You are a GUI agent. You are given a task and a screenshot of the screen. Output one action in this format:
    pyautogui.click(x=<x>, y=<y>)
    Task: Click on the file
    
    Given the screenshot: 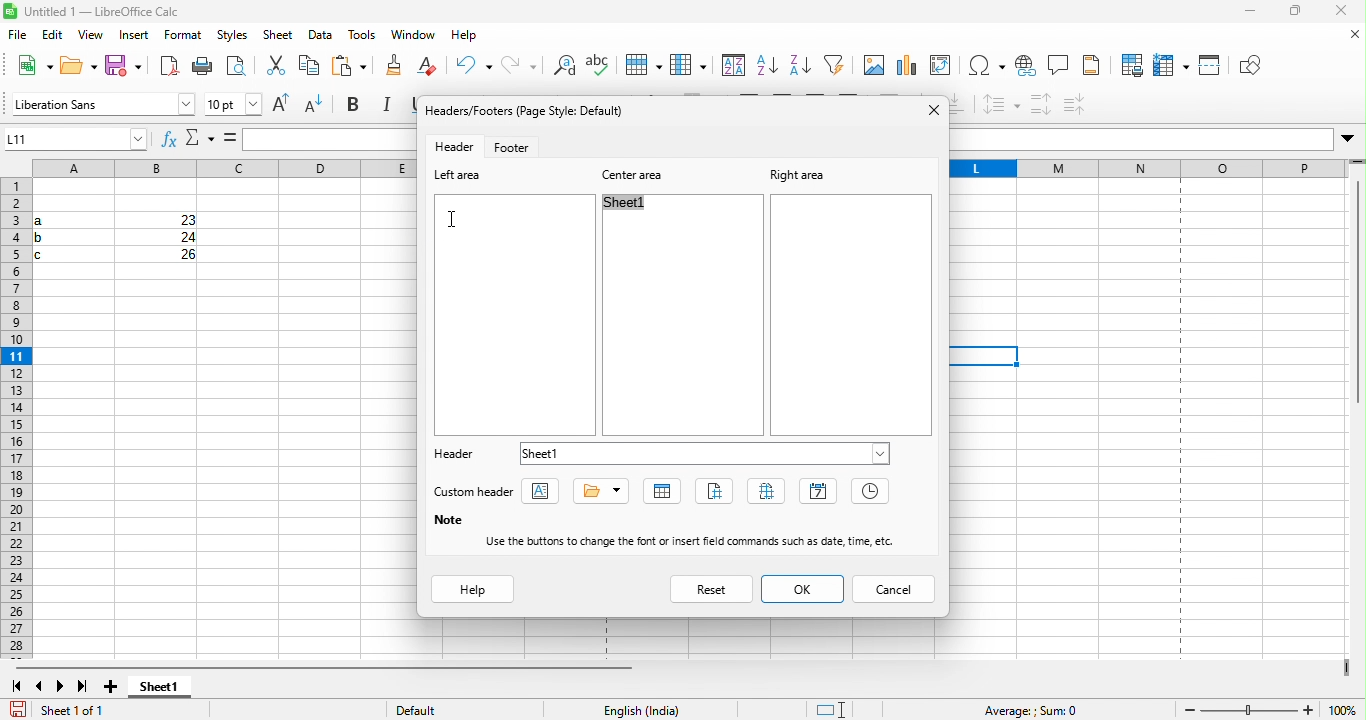 What is the action you would take?
    pyautogui.click(x=18, y=36)
    